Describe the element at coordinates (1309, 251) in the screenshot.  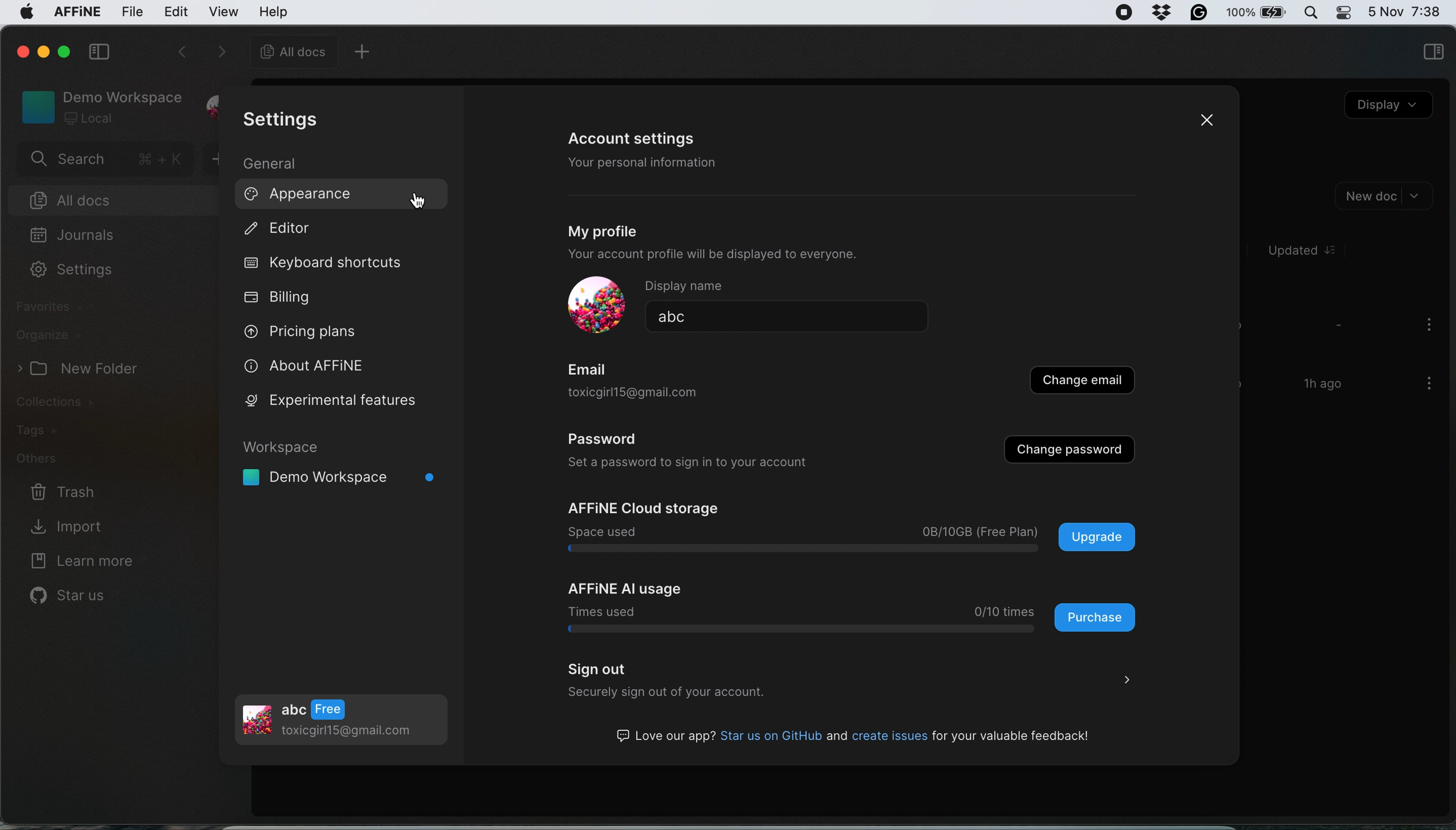
I see `Updated` at that location.